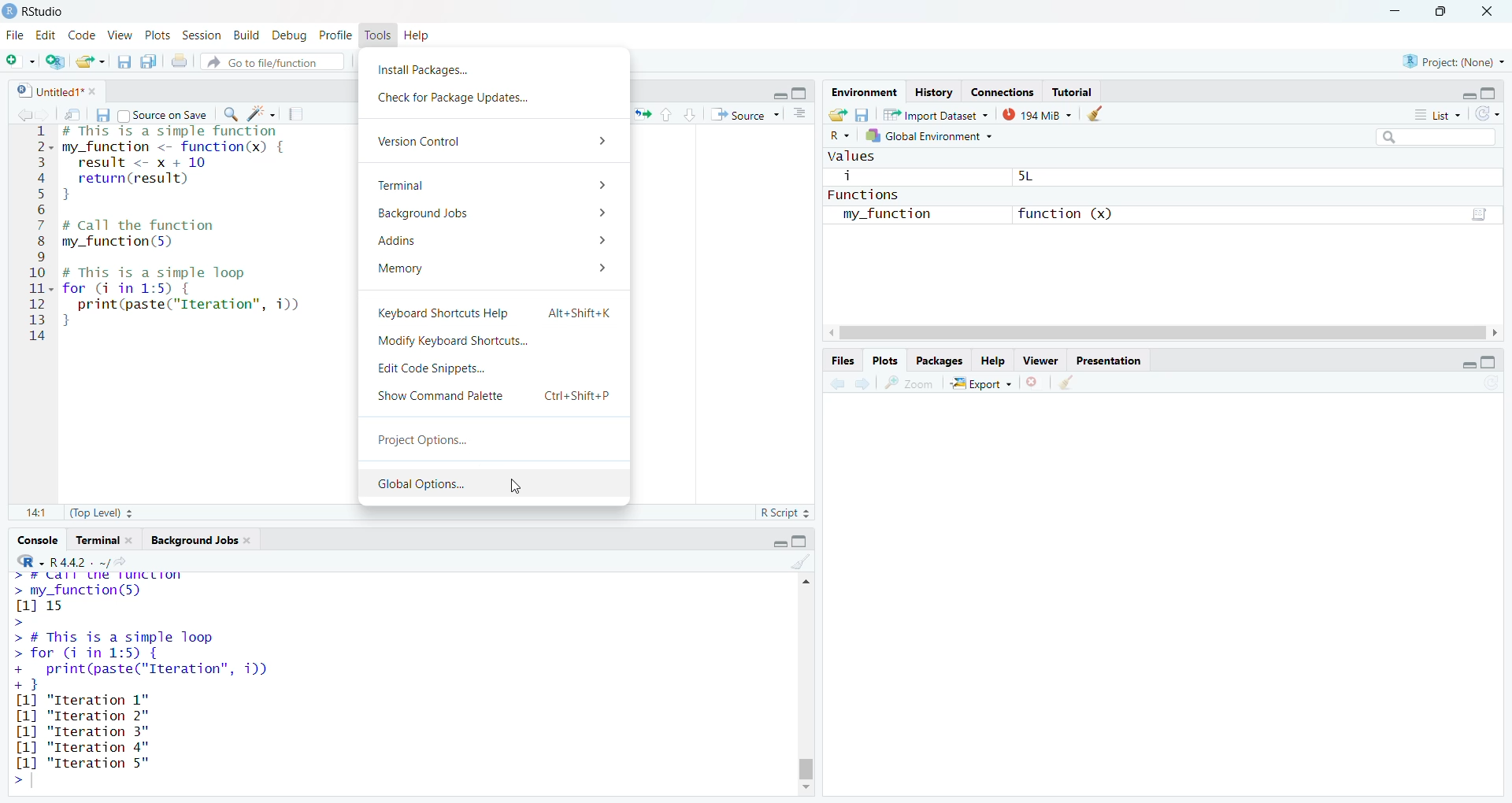 The width and height of the screenshot is (1512, 803). What do you see at coordinates (984, 383) in the screenshot?
I see `export` at bounding box center [984, 383].